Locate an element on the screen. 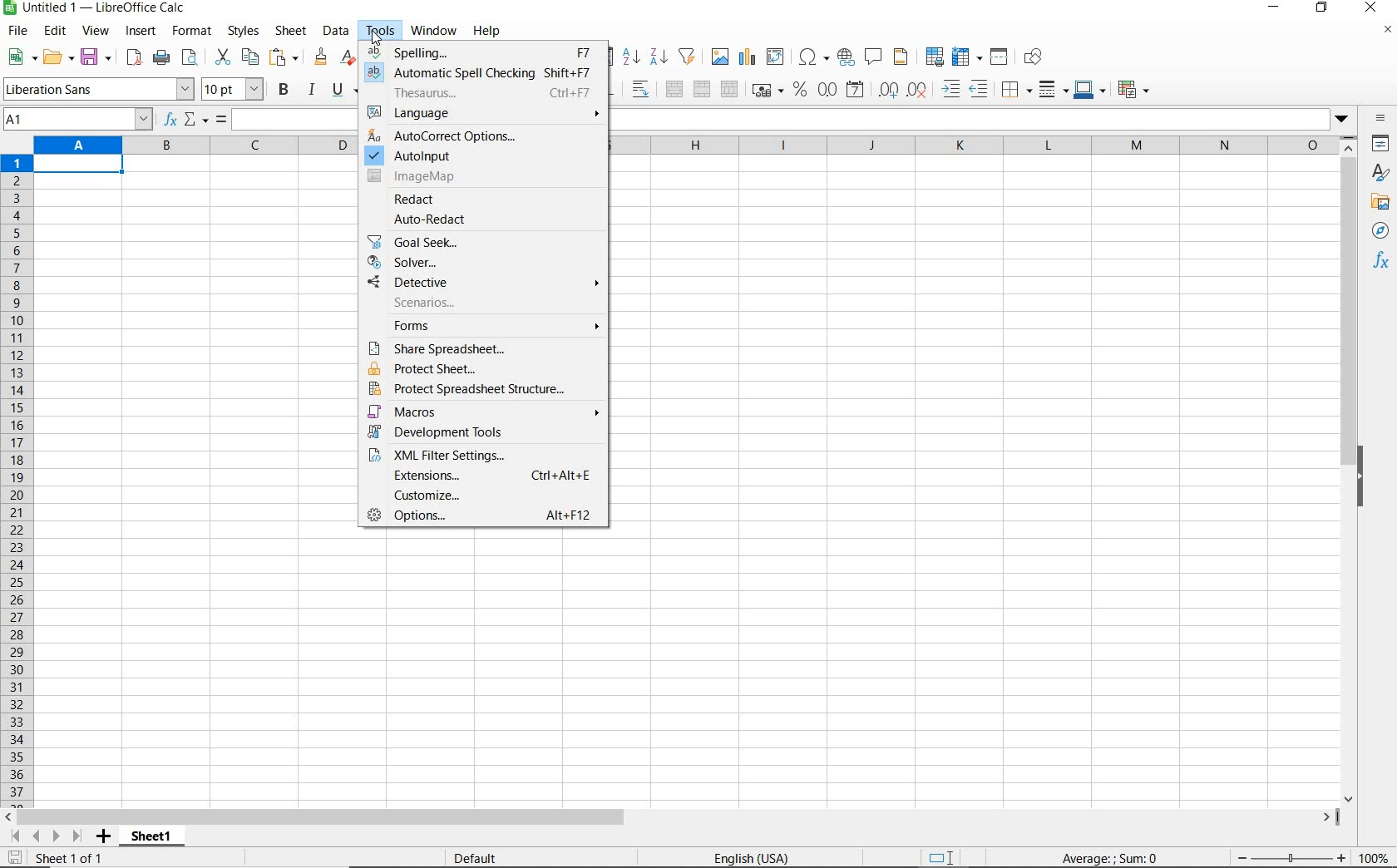 The width and height of the screenshot is (1397, 868). SHEET1 is located at coordinates (152, 836).